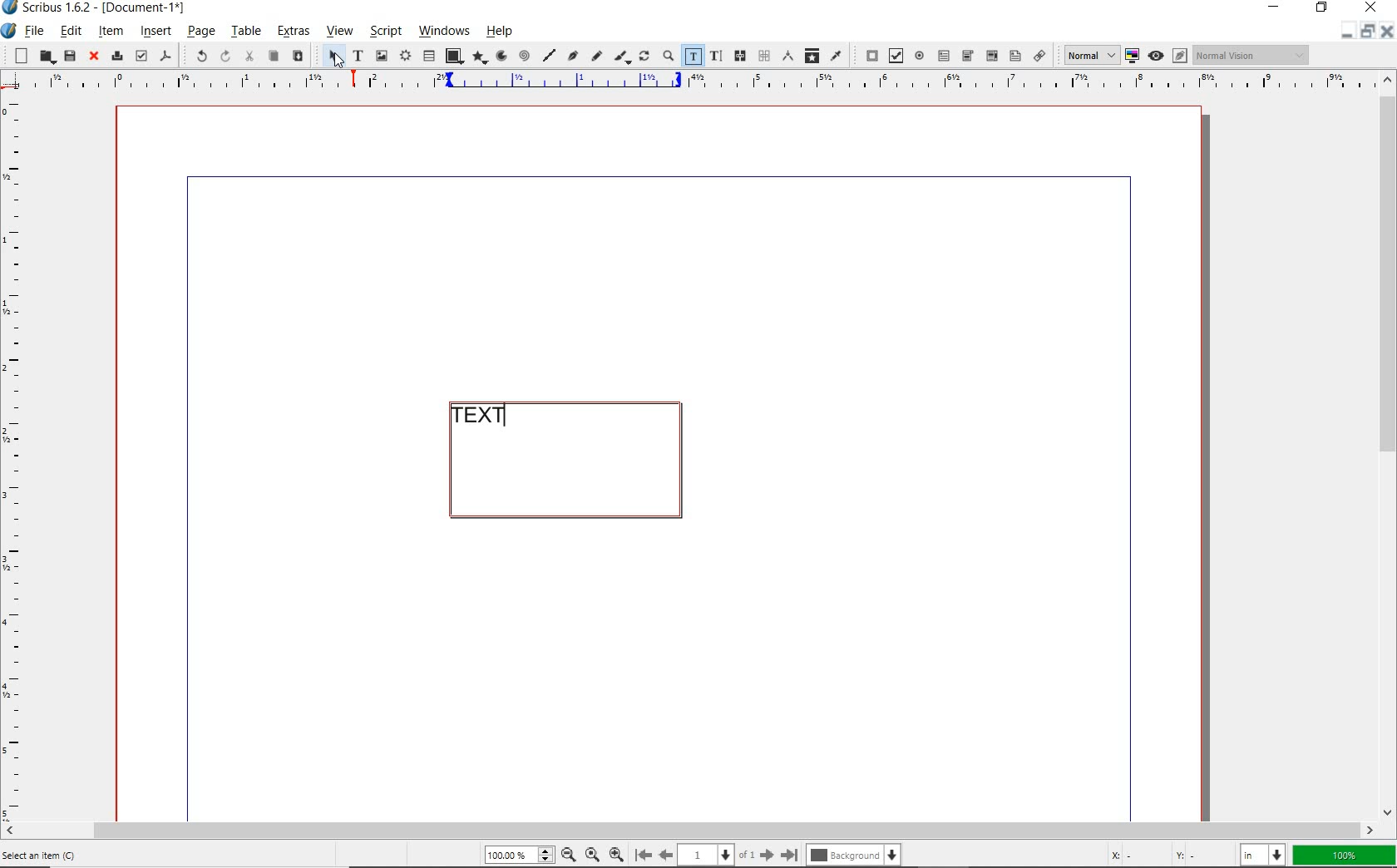  Describe the element at coordinates (428, 57) in the screenshot. I see `table` at that location.